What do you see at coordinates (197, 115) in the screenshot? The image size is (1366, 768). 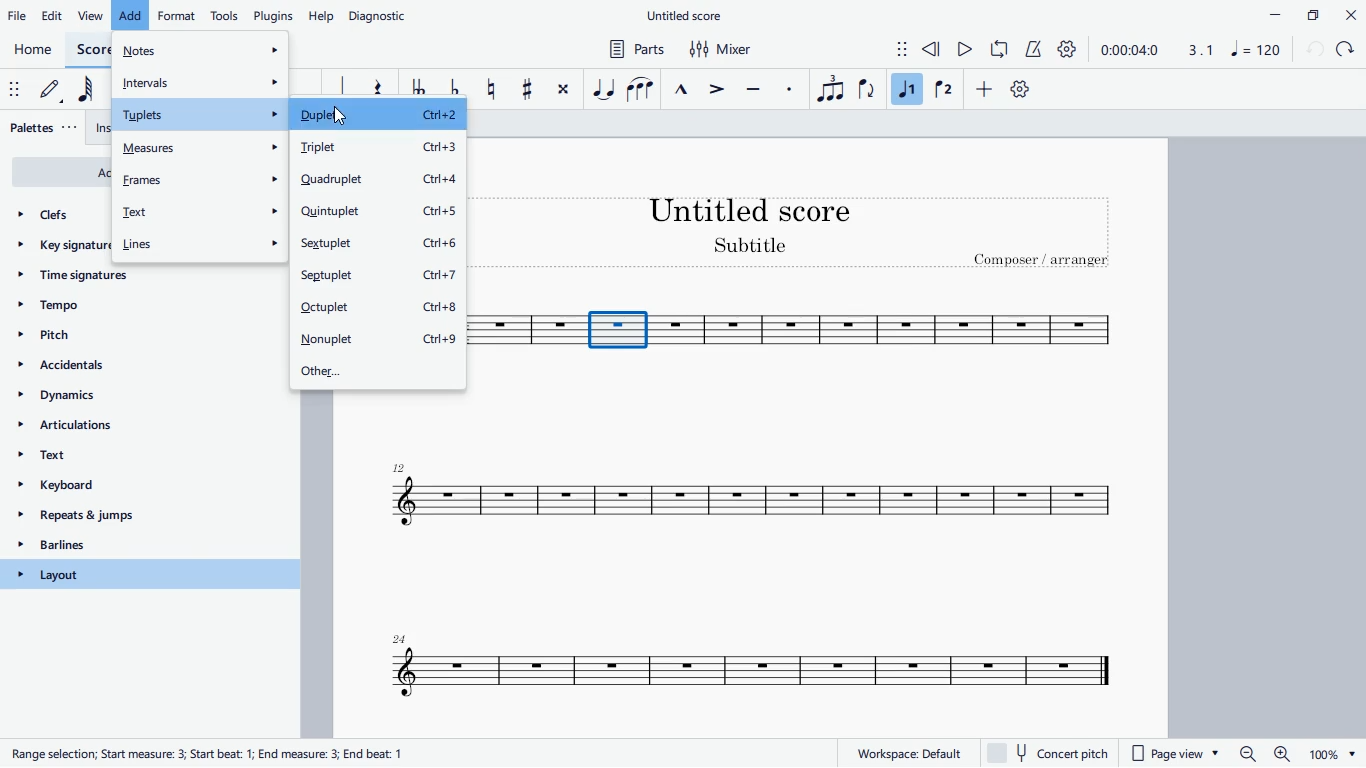 I see `tuplets` at bounding box center [197, 115].